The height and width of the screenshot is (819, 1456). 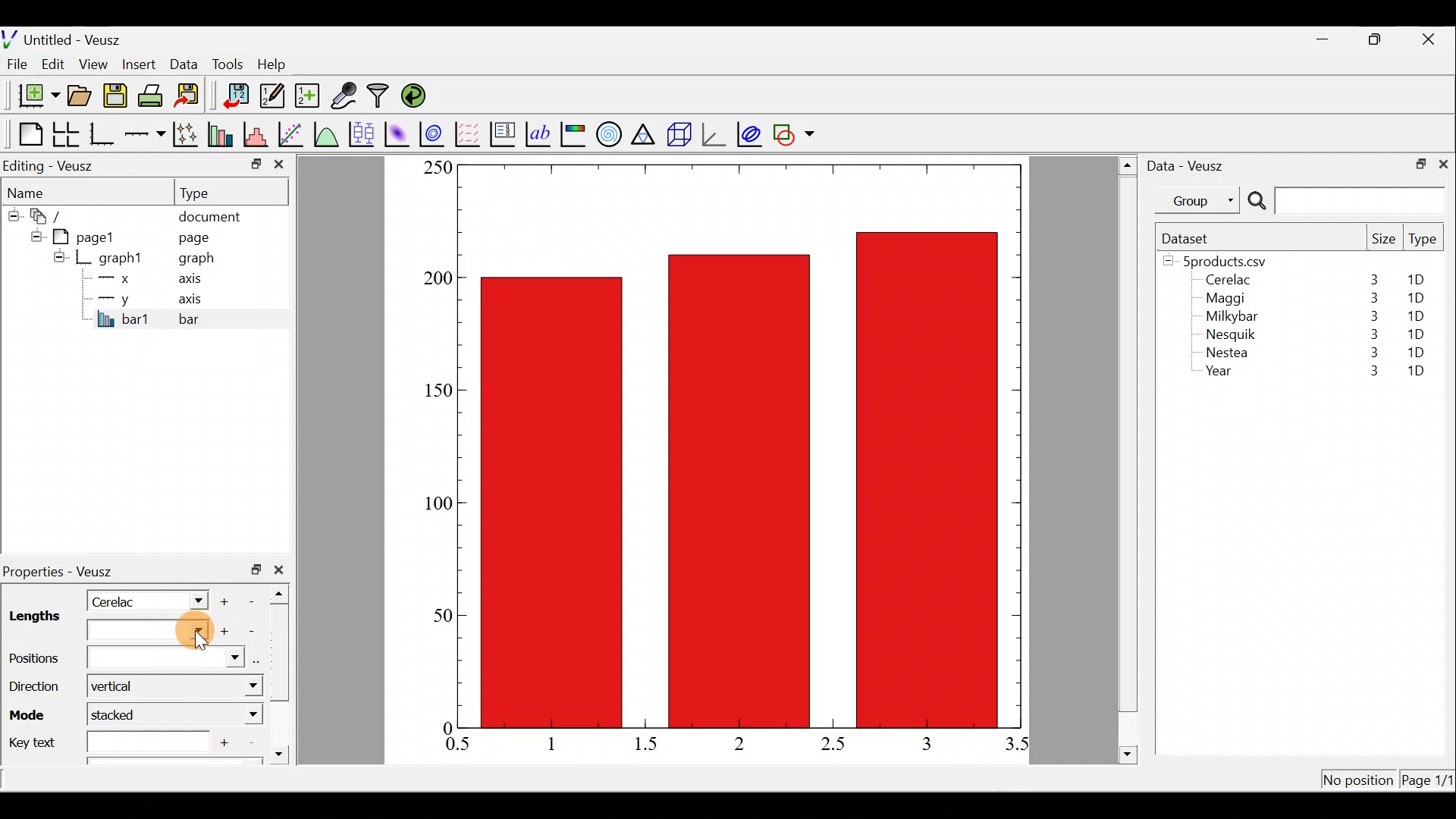 I want to click on Nestea, so click(x=1228, y=353).